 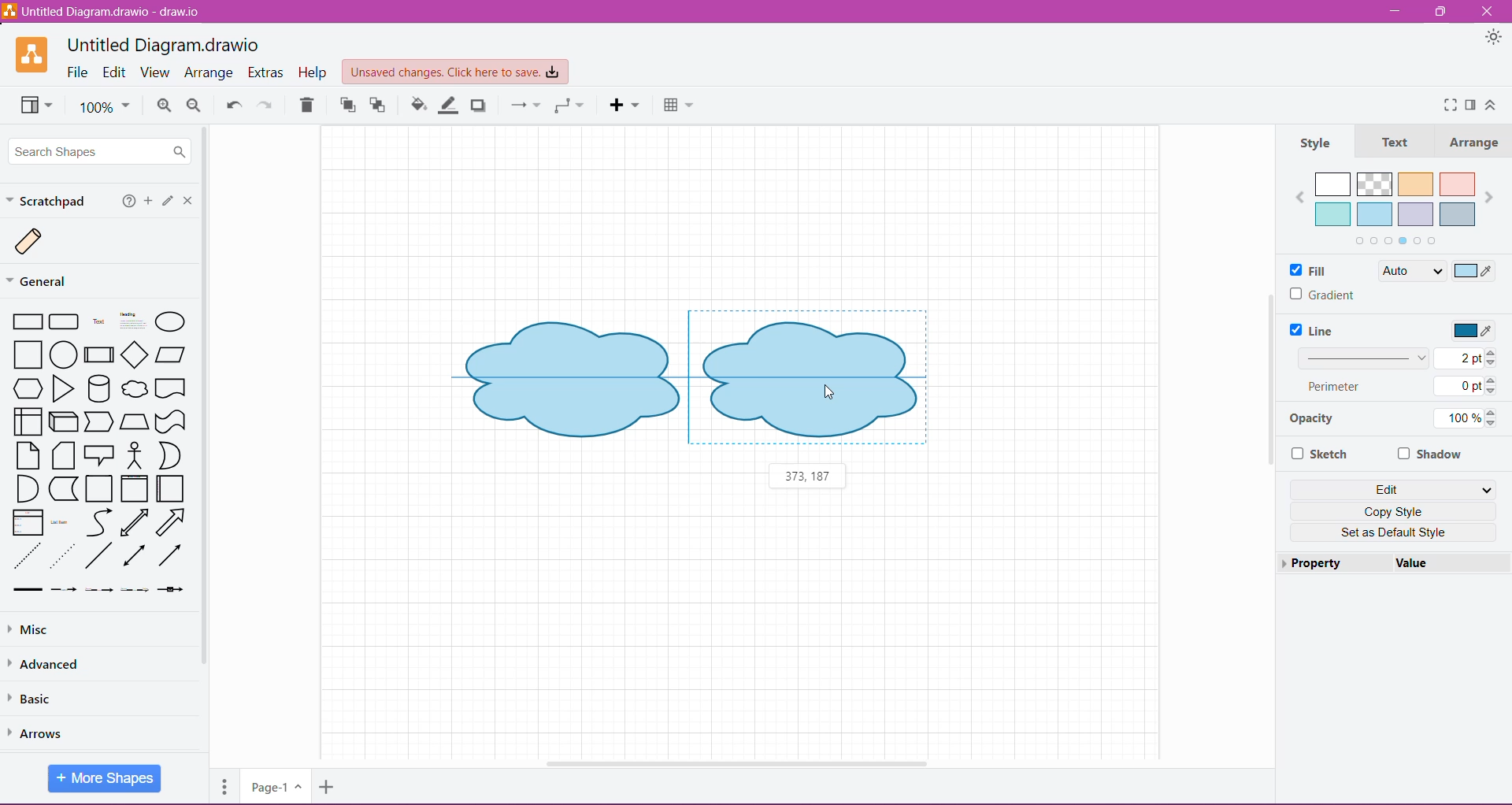 What do you see at coordinates (1313, 271) in the screenshot?
I see `Fill` at bounding box center [1313, 271].